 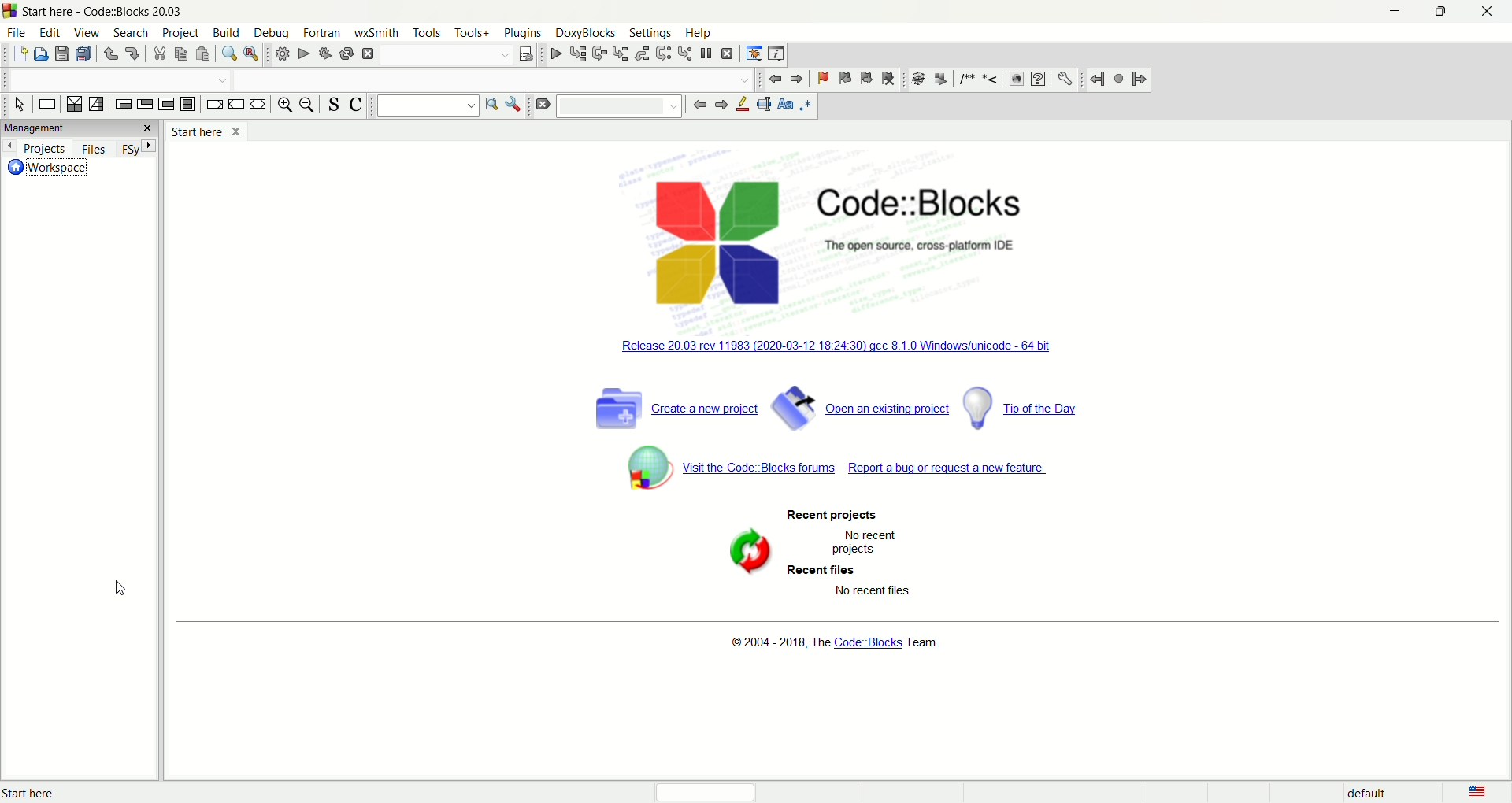 What do you see at coordinates (1022, 406) in the screenshot?
I see `tip of the day` at bounding box center [1022, 406].